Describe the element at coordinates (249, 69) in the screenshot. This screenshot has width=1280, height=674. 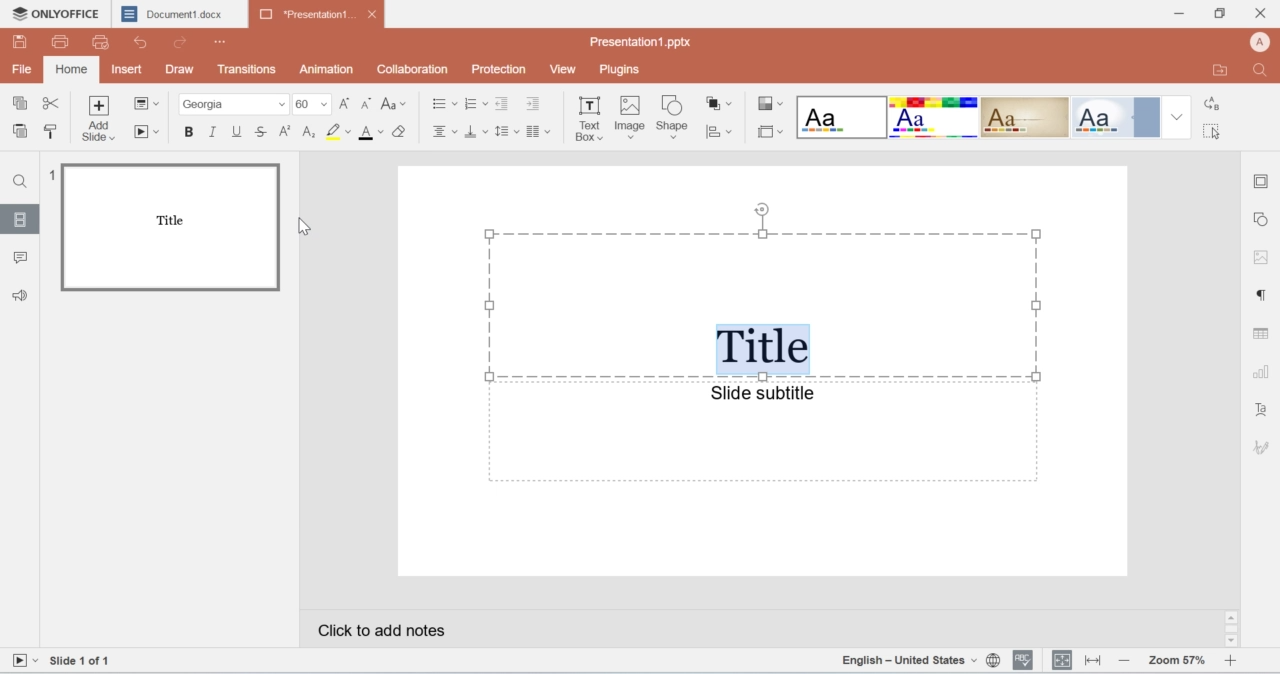
I see `transitions` at that location.